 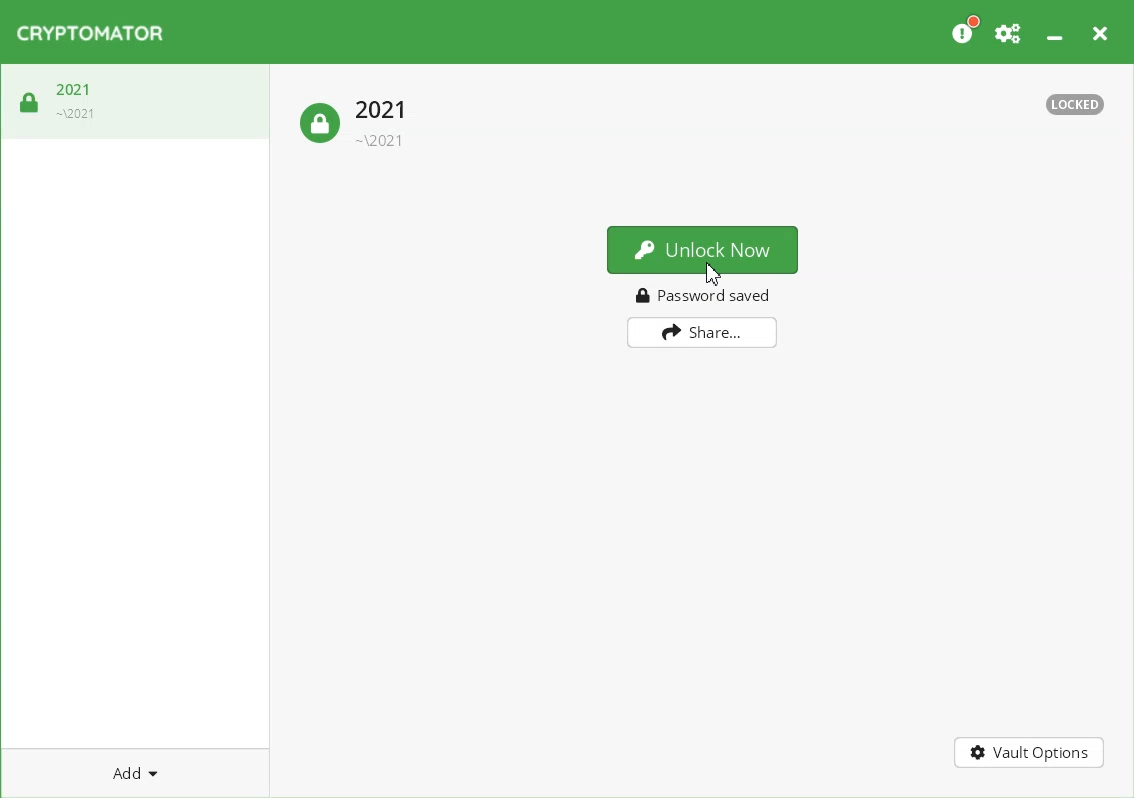 I want to click on Preferences, so click(x=1008, y=33).